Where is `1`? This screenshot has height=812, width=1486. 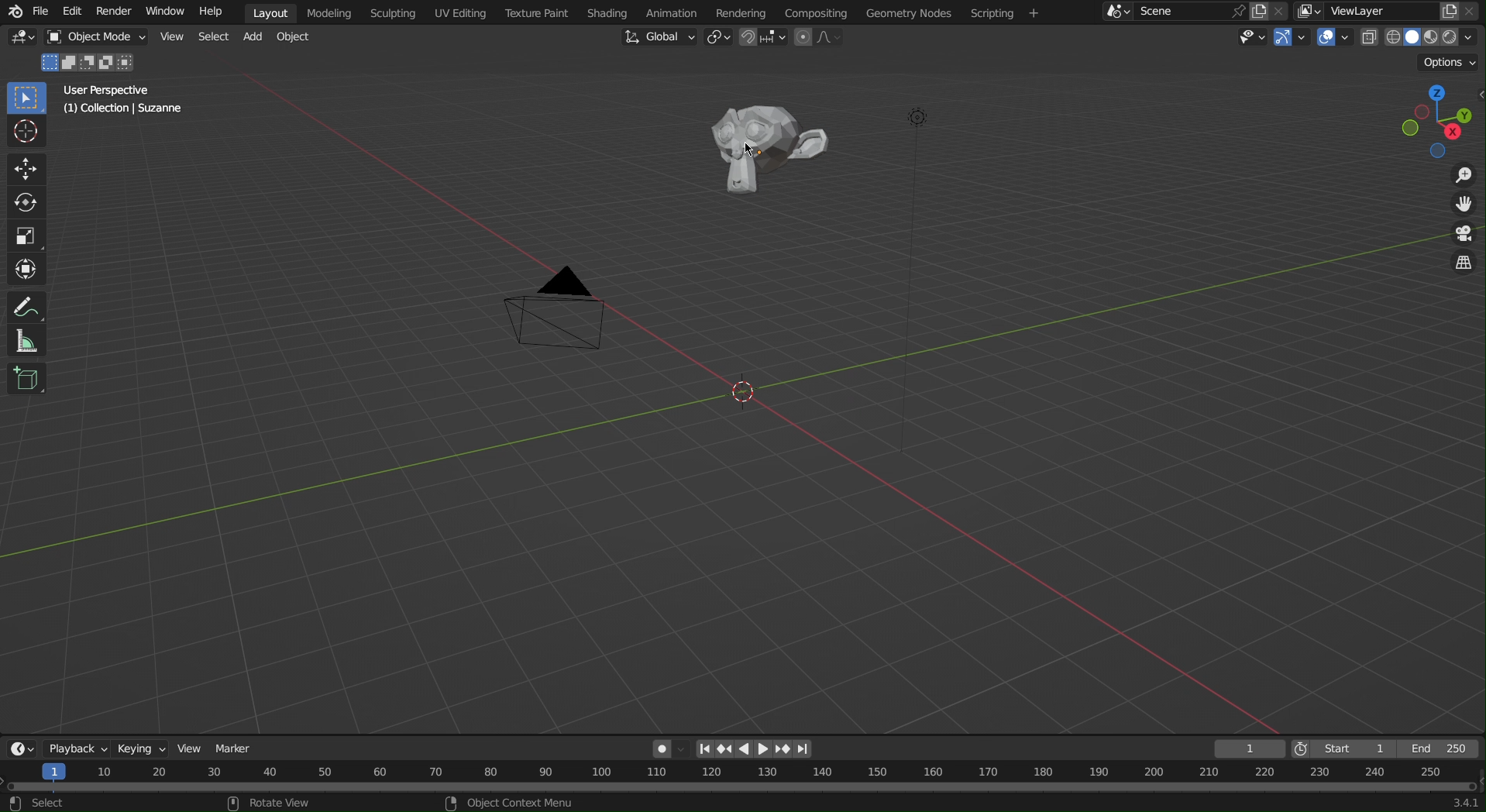
1 is located at coordinates (1250, 749).